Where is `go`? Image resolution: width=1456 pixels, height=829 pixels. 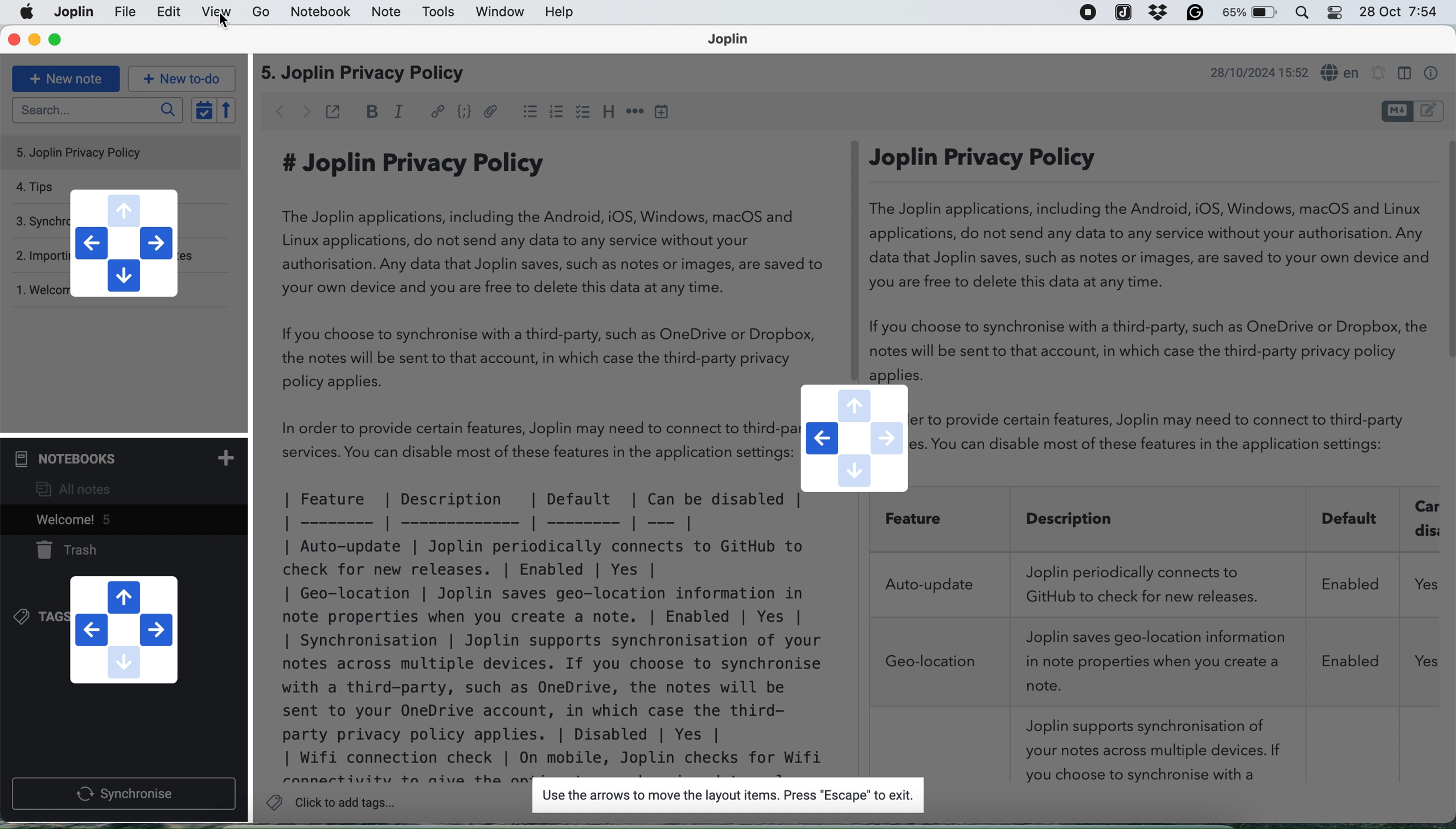
go is located at coordinates (262, 13).